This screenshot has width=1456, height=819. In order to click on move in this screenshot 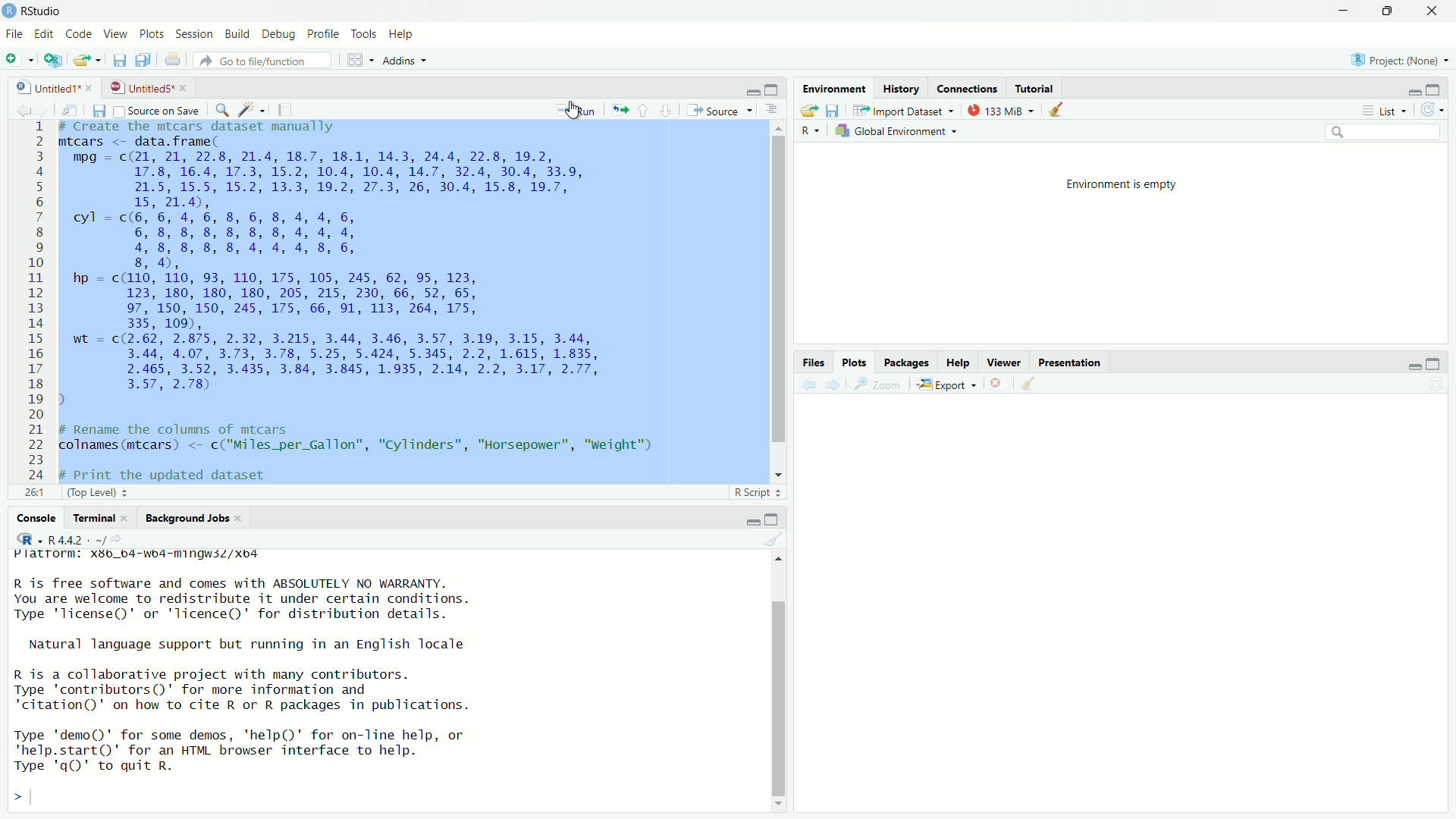, I will do `click(619, 109)`.